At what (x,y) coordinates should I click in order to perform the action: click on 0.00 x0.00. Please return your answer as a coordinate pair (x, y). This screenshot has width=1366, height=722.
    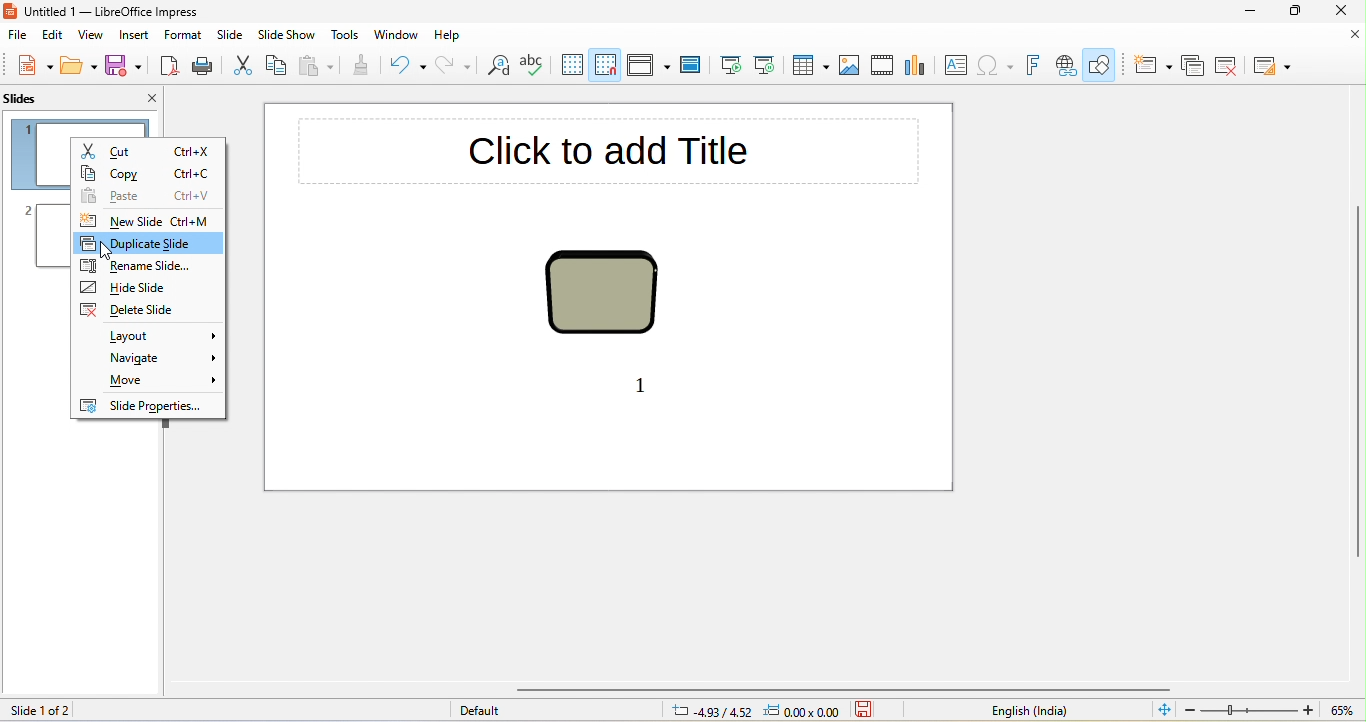
    Looking at the image, I should click on (805, 711).